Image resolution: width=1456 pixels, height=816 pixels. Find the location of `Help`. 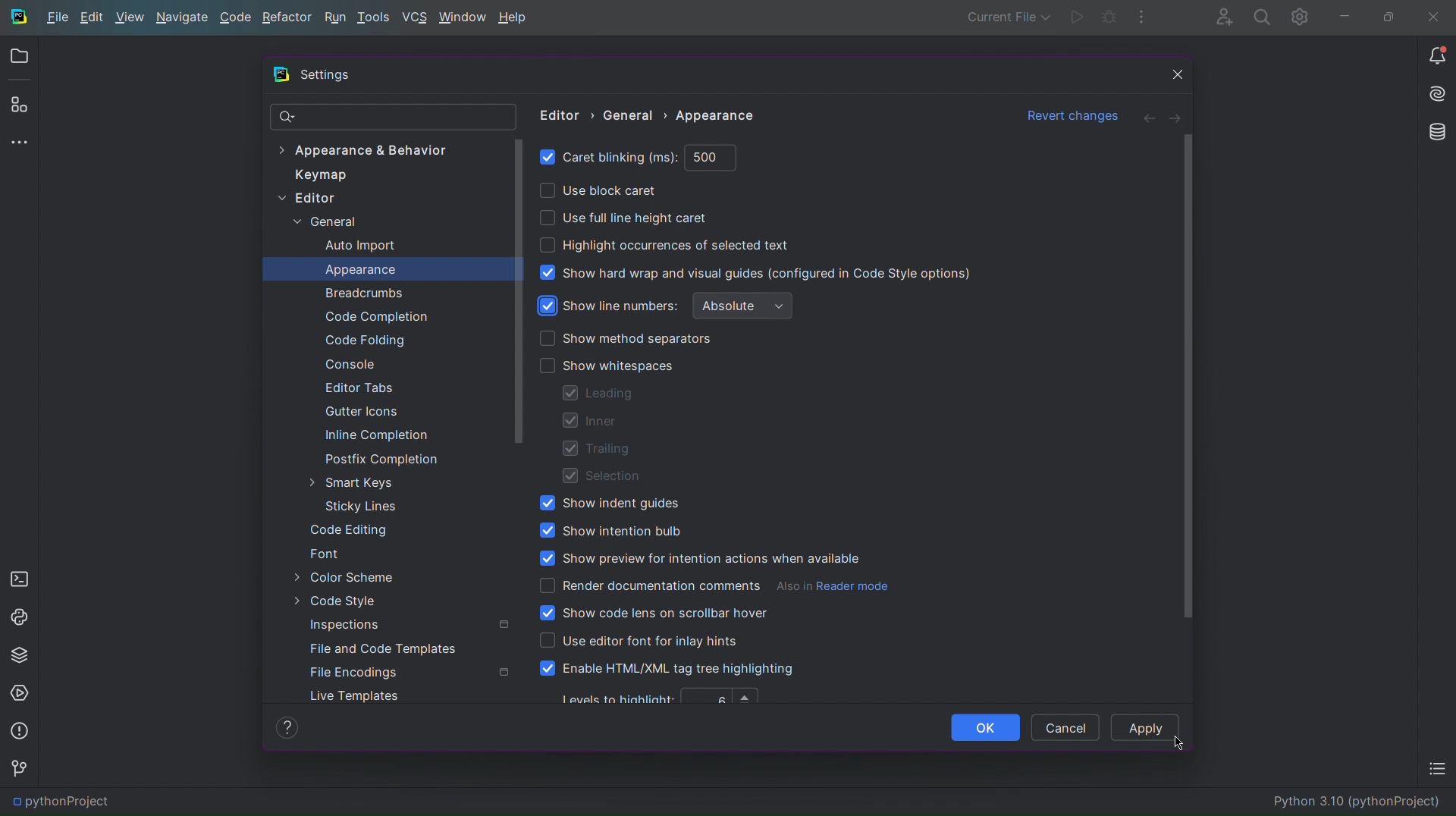

Help is located at coordinates (289, 727).